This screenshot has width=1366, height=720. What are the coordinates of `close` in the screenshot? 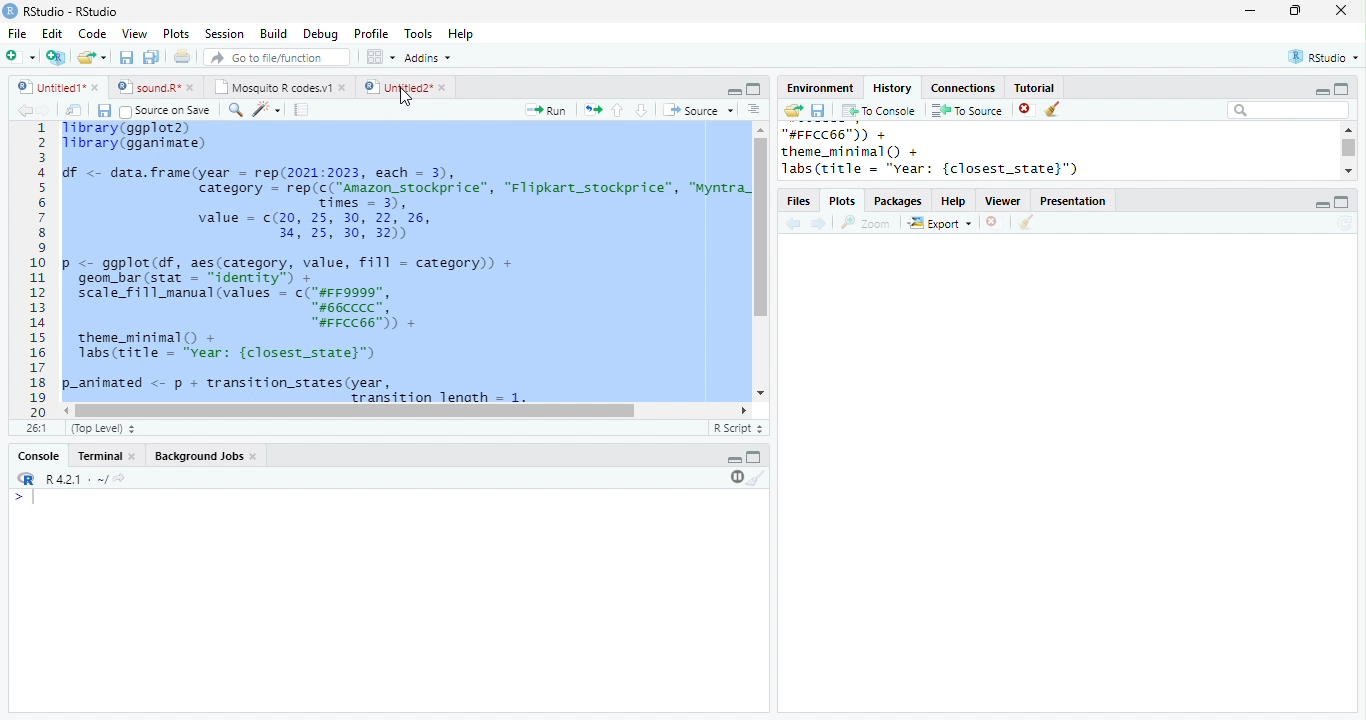 It's located at (1341, 10).